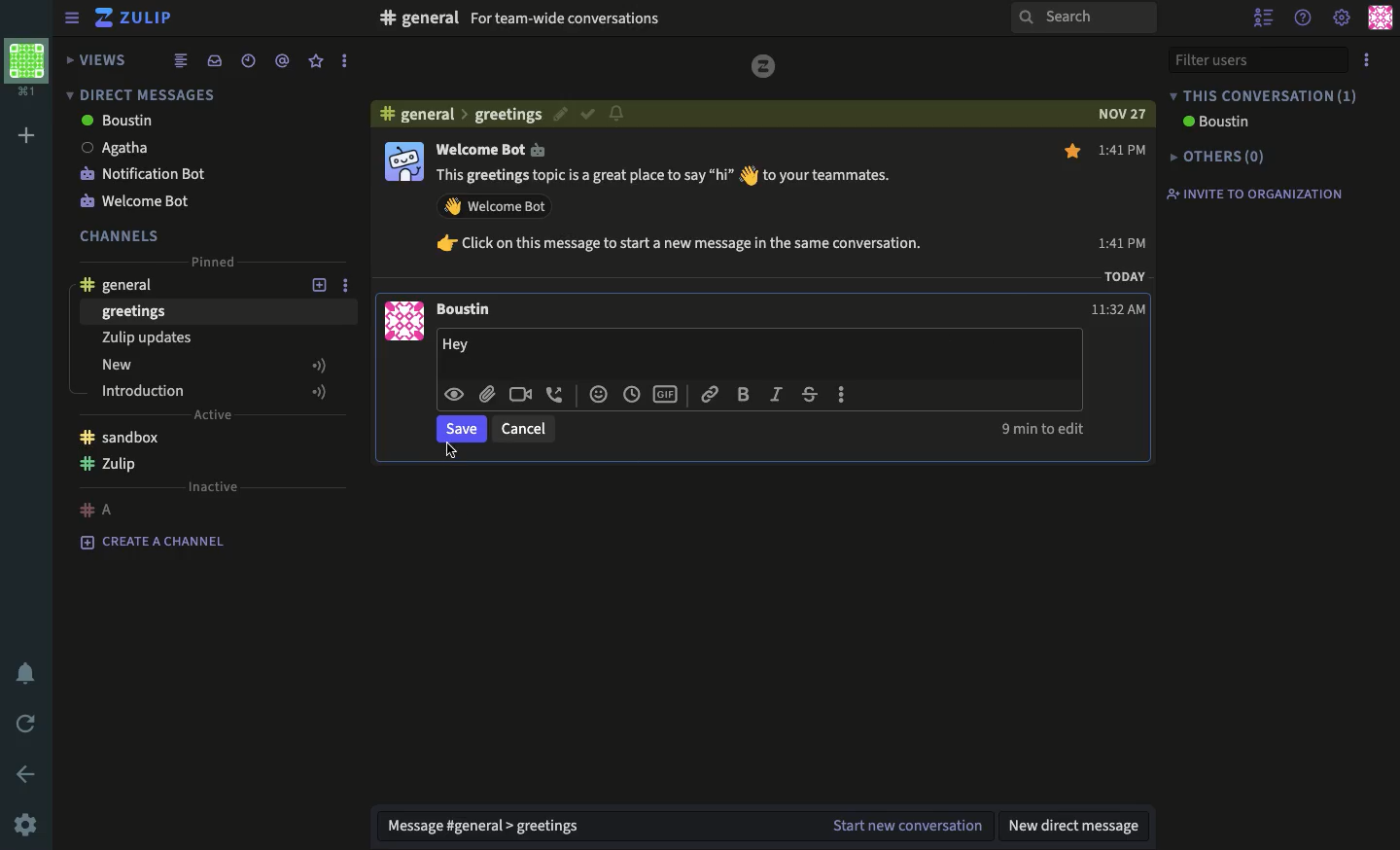 The height and width of the screenshot is (850, 1400). What do you see at coordinates (845, 394) in the screenshot?
I see `More Options` at bounding box center [845, 394].